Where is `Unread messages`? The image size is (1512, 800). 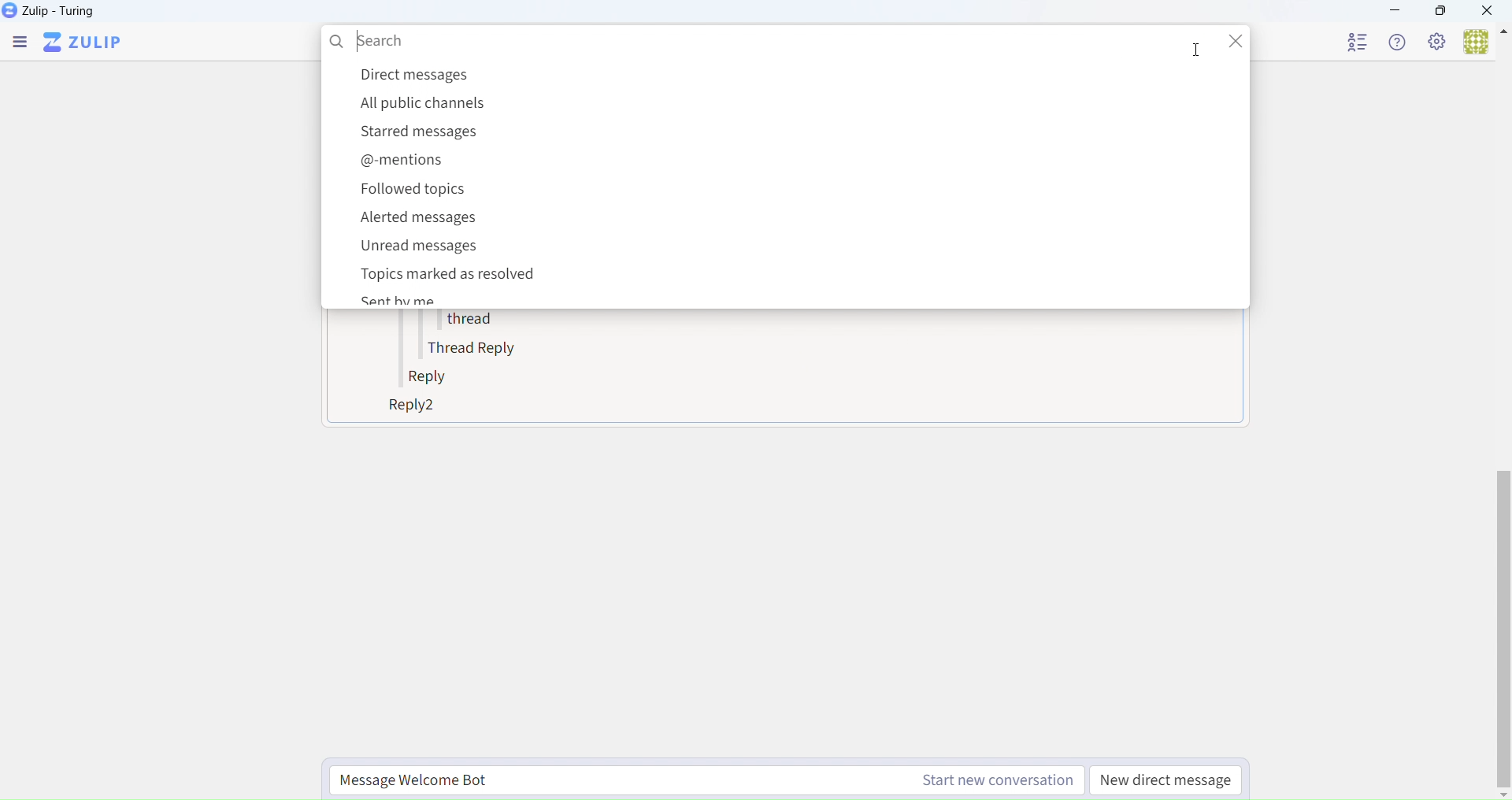
Unread messages is located at coordinates (429, 249).